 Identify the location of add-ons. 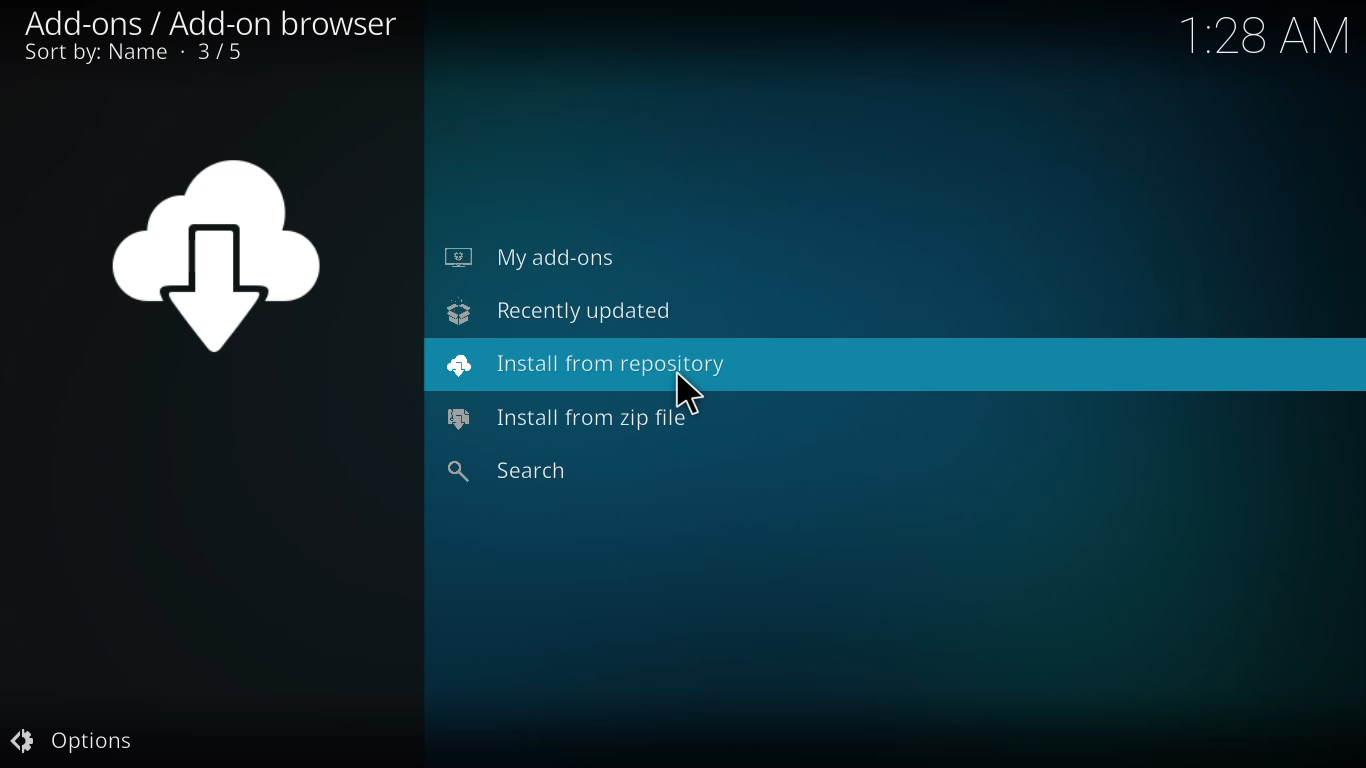
(212, 20).